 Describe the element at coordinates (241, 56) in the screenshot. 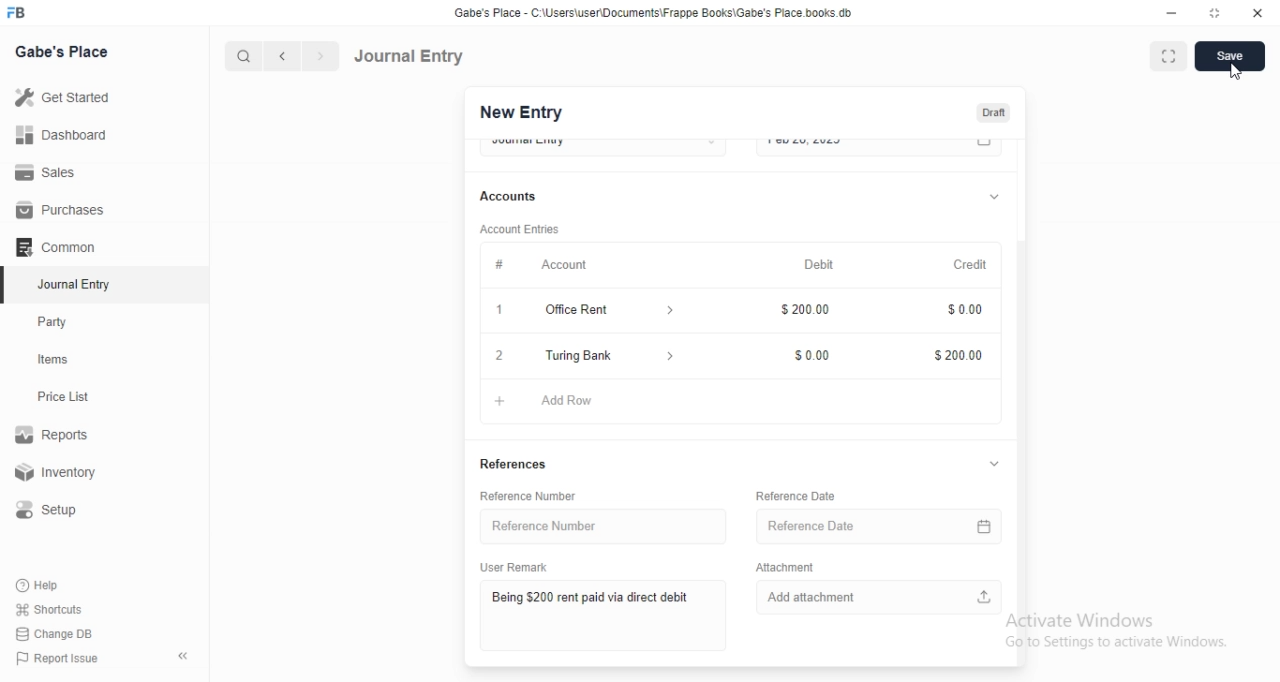

I see `search` at that location.